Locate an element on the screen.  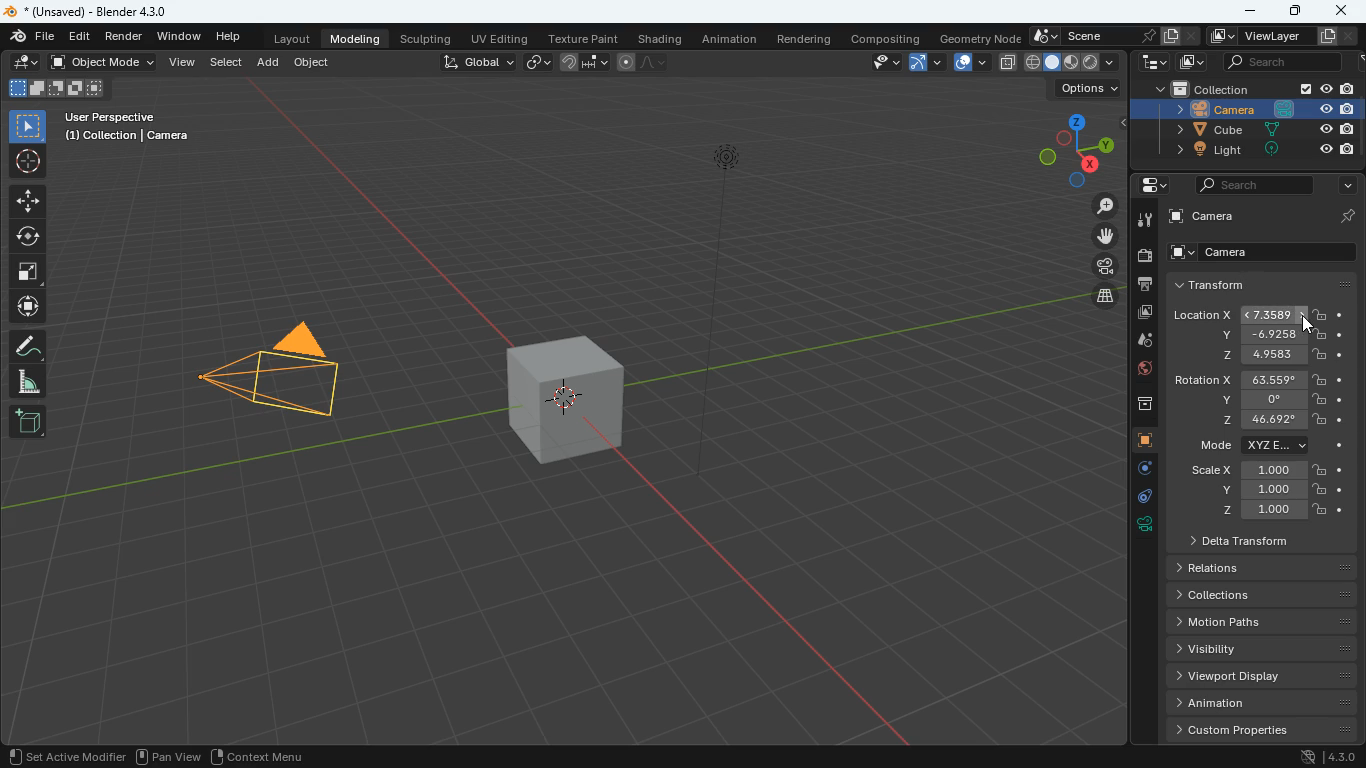
global is located at coordinates (475, 62).